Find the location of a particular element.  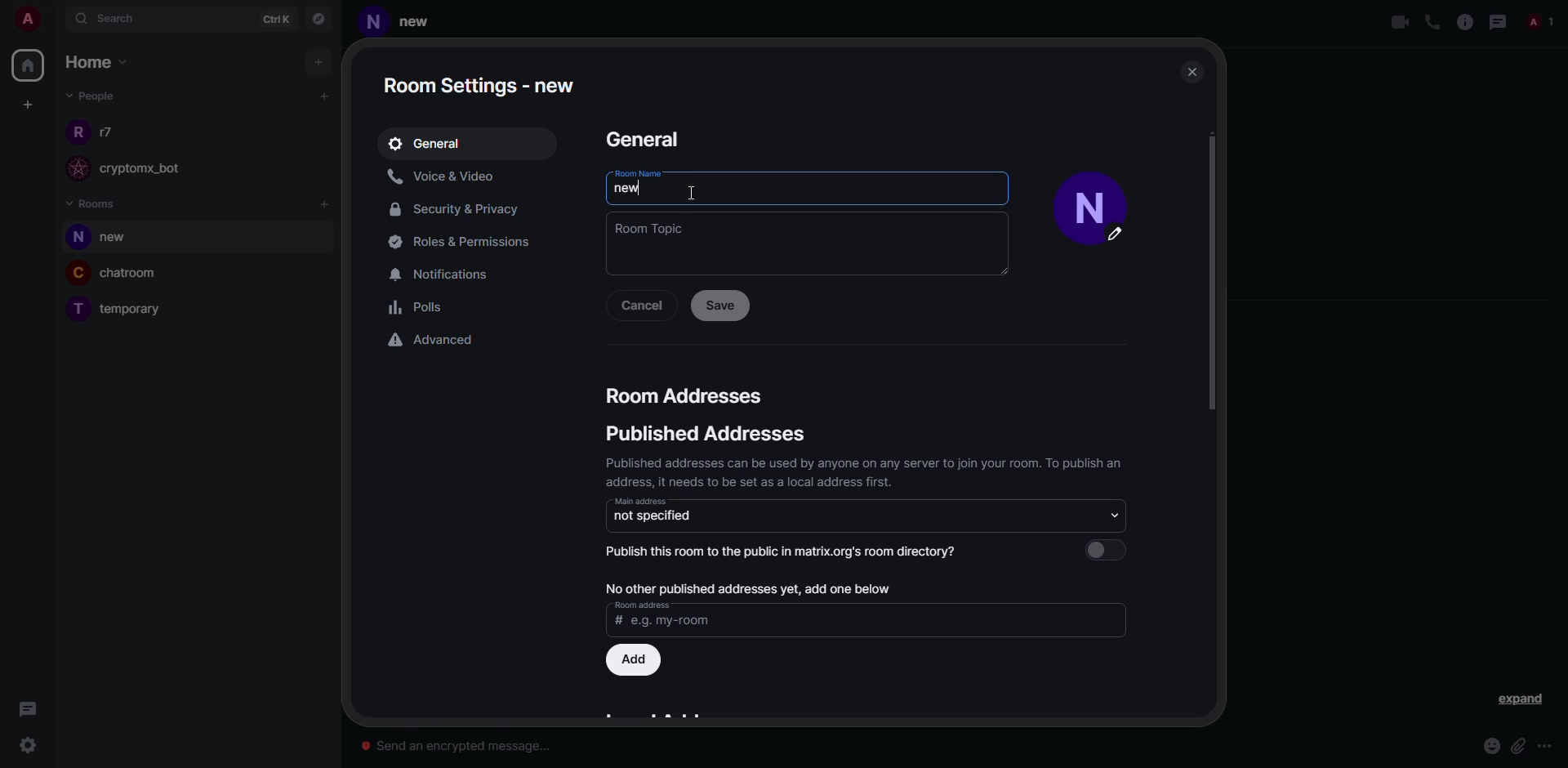

room topic is located at coordinates (650, 228).